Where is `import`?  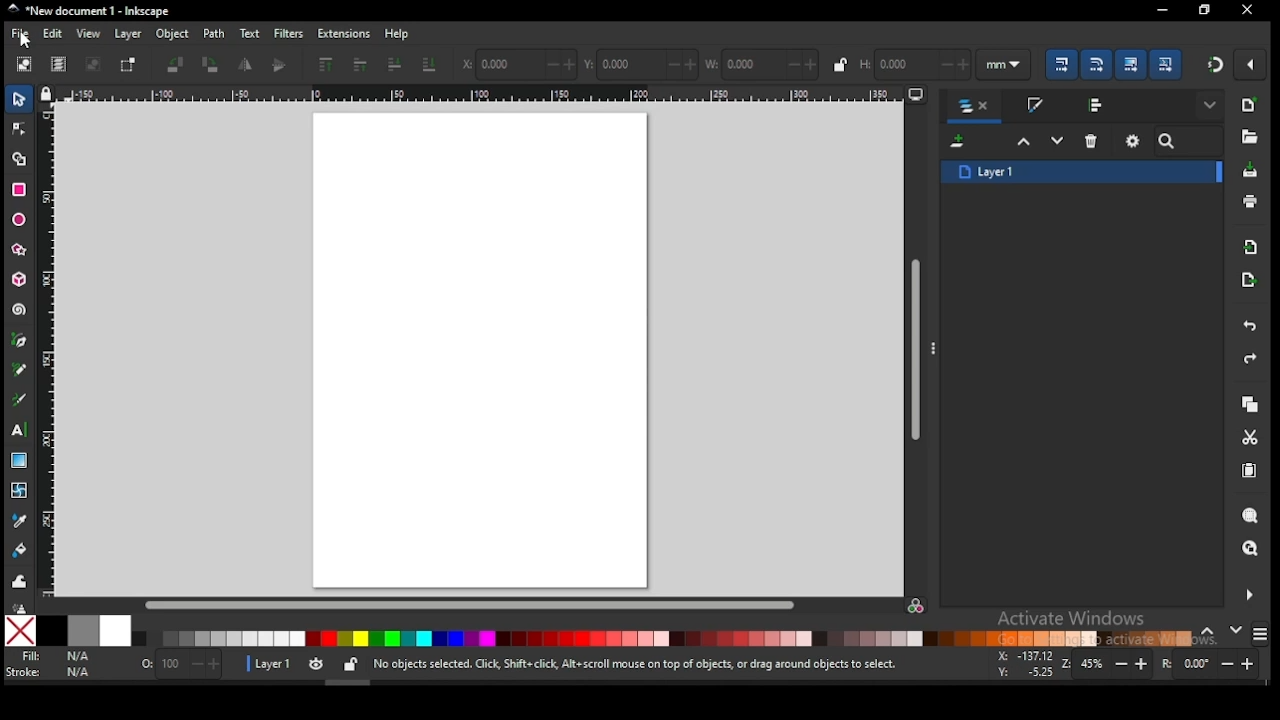
import is located at coordinates (1251, 247).